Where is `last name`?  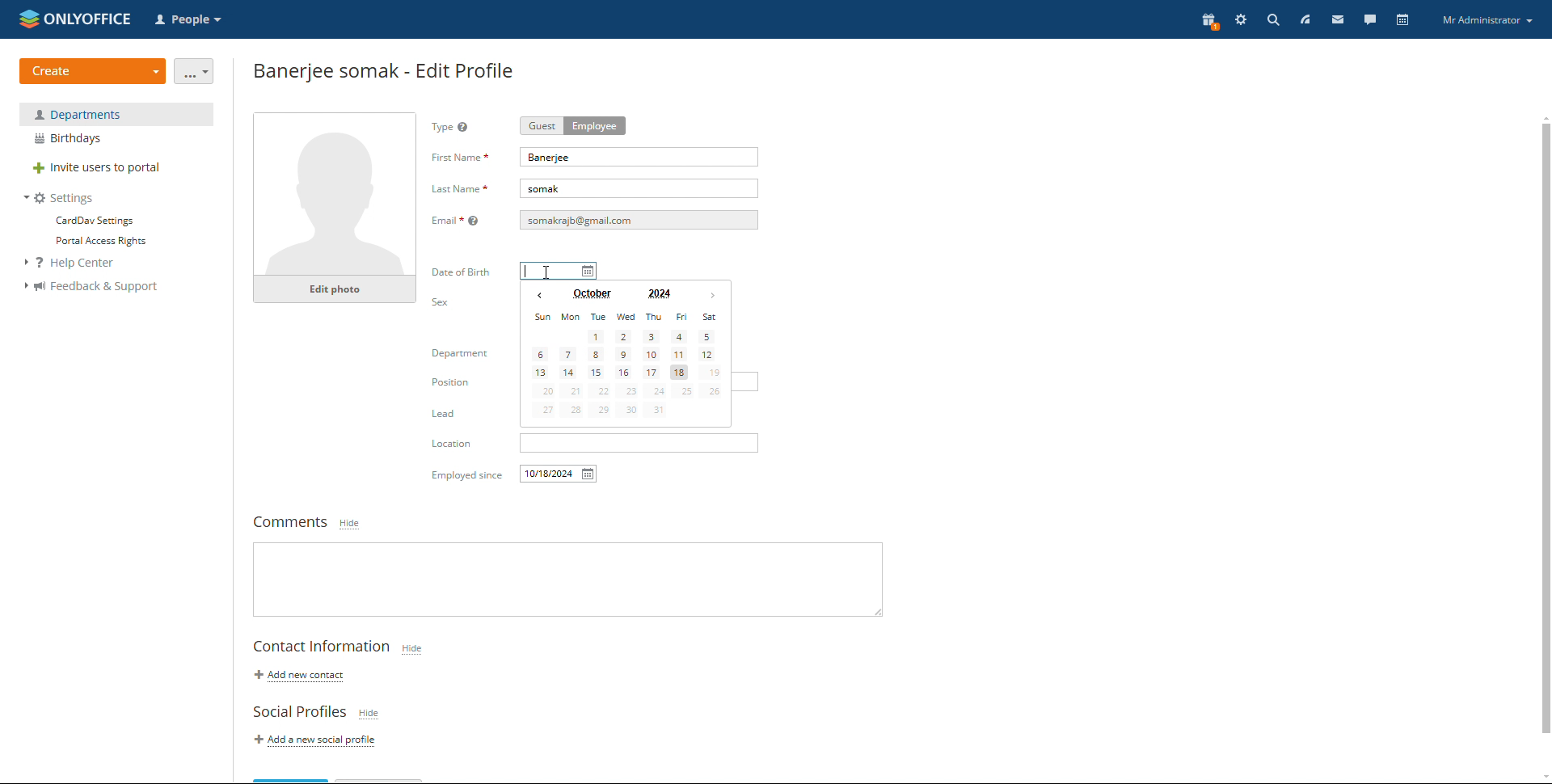 last name is located at coordinates (639, 188).